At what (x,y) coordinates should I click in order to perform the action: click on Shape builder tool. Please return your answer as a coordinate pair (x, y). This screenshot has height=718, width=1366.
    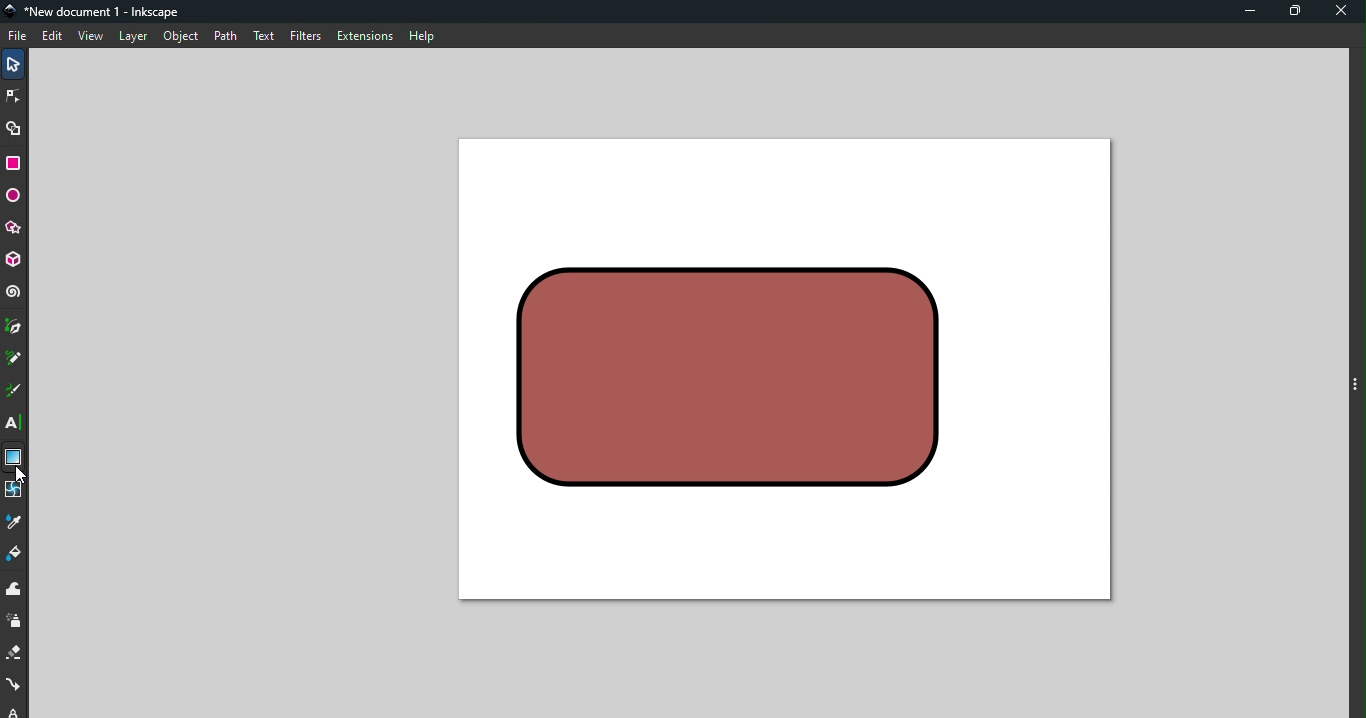
    Looking at the image, I should click on (14, 127).